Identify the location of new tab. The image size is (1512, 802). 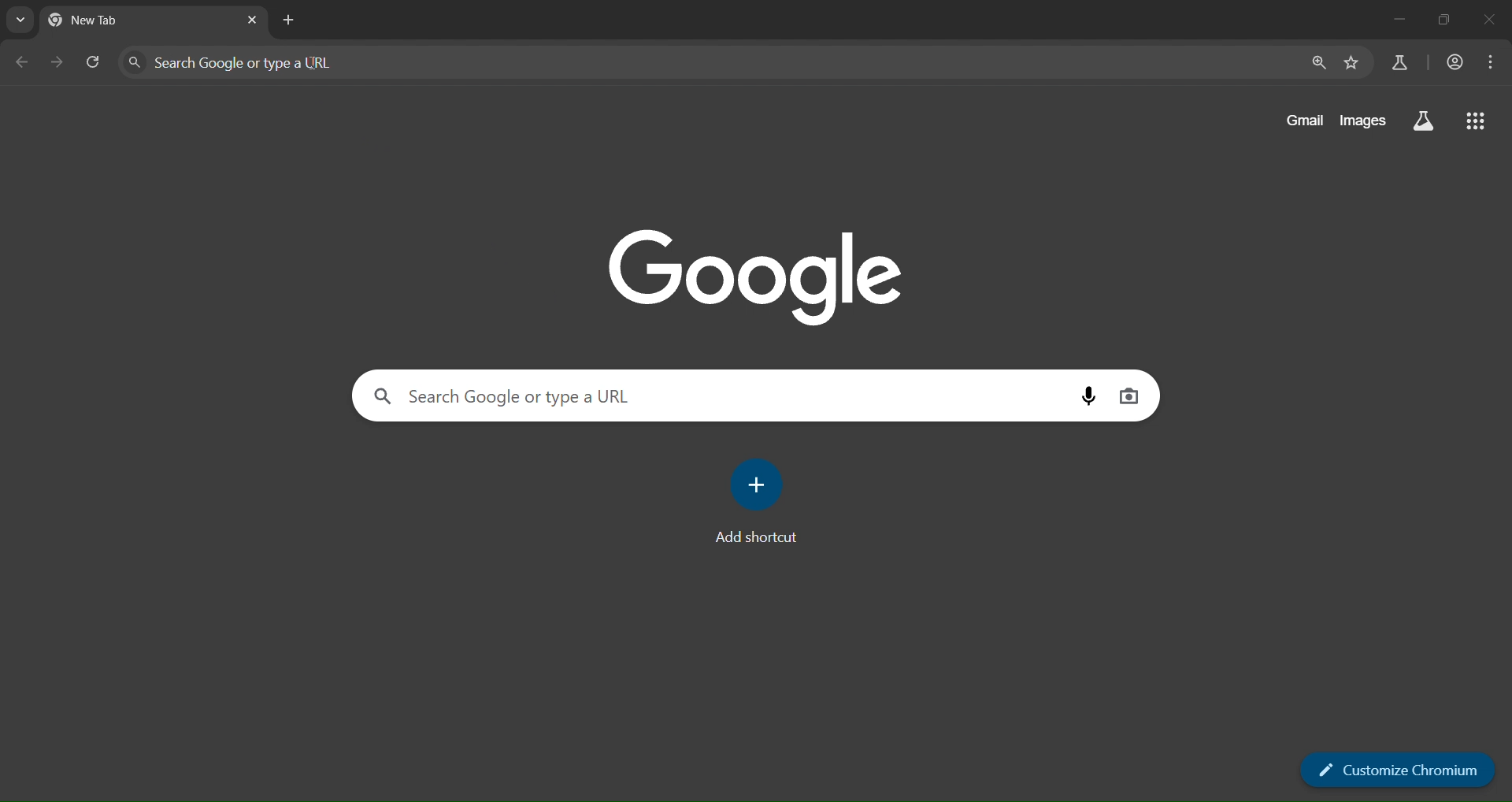
(287, 24).